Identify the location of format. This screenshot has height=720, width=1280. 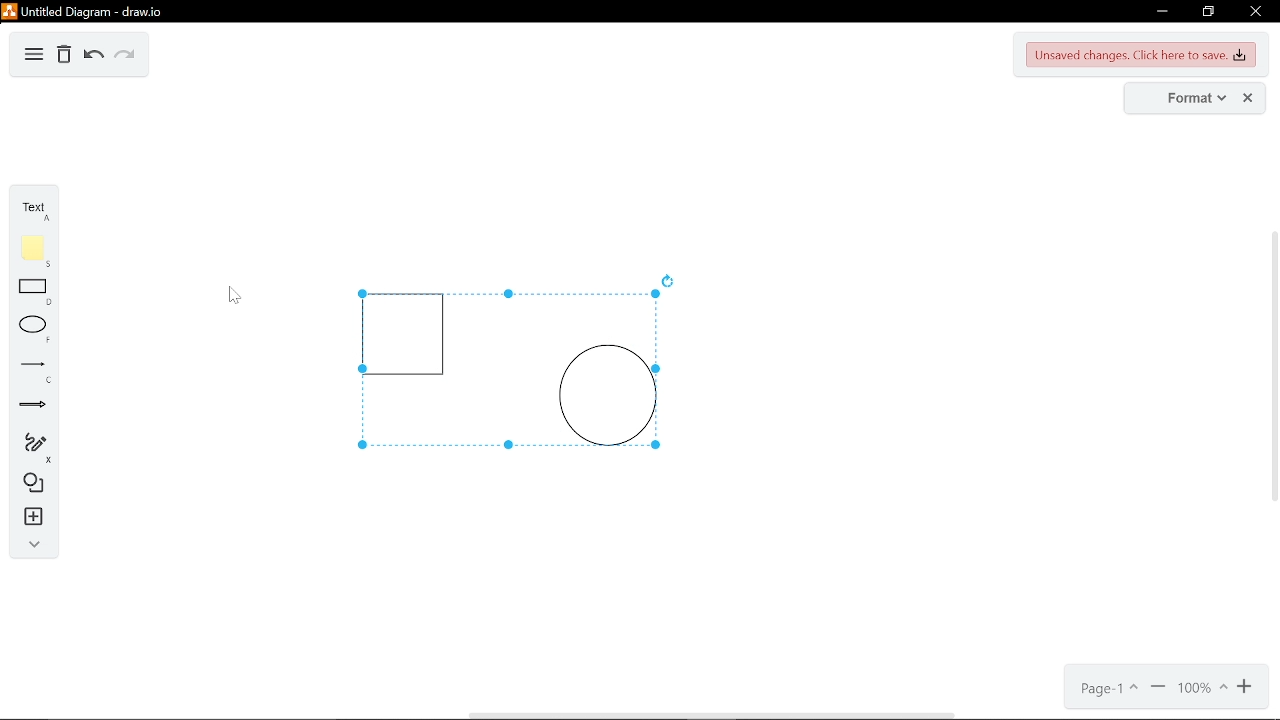
(1191, 99).